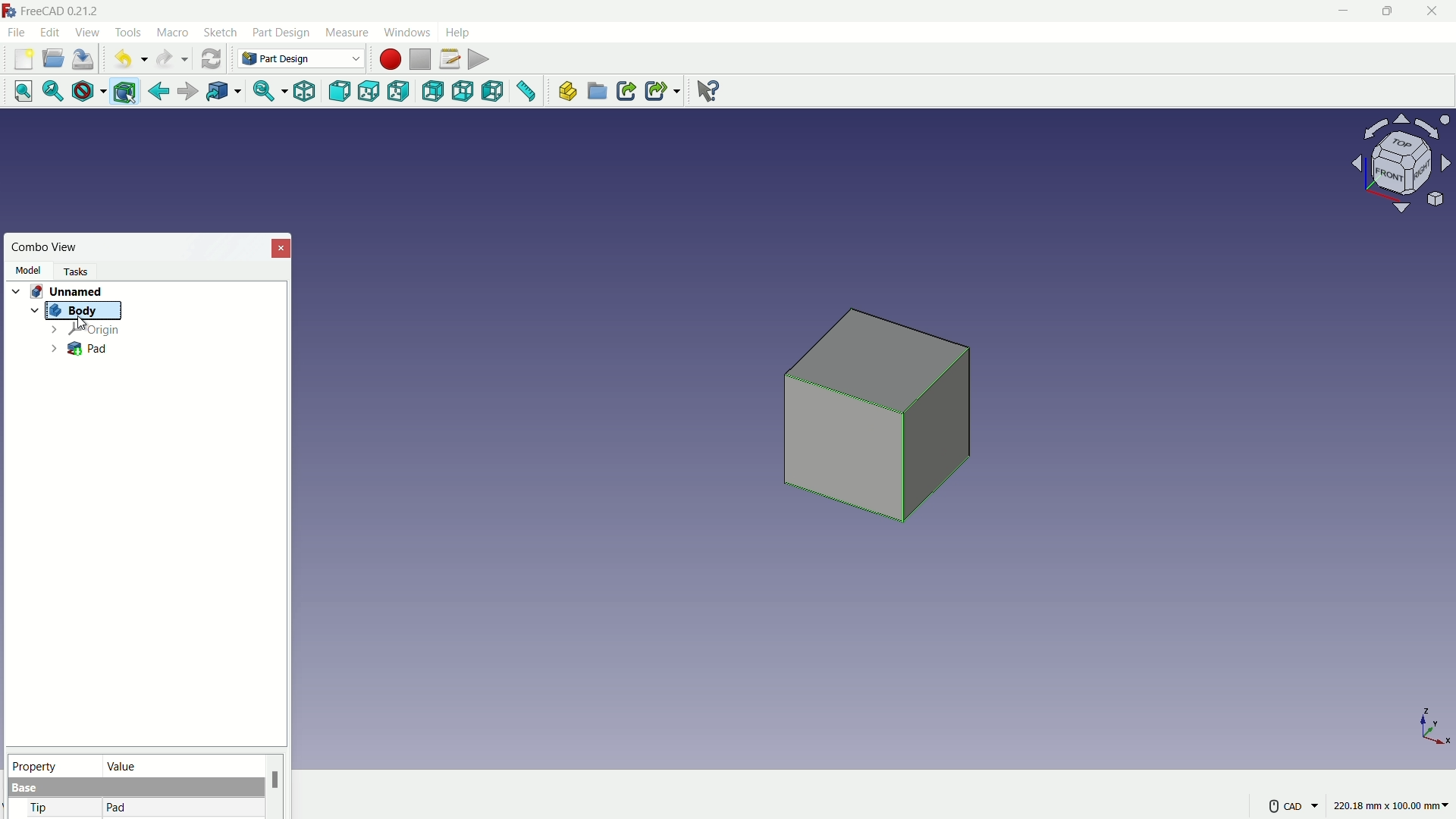 This screenshot has height=819, width=1456. What do you see at coordinates (282, 247) in the screenshot?
I see `close` at bounding box center [282, 247].